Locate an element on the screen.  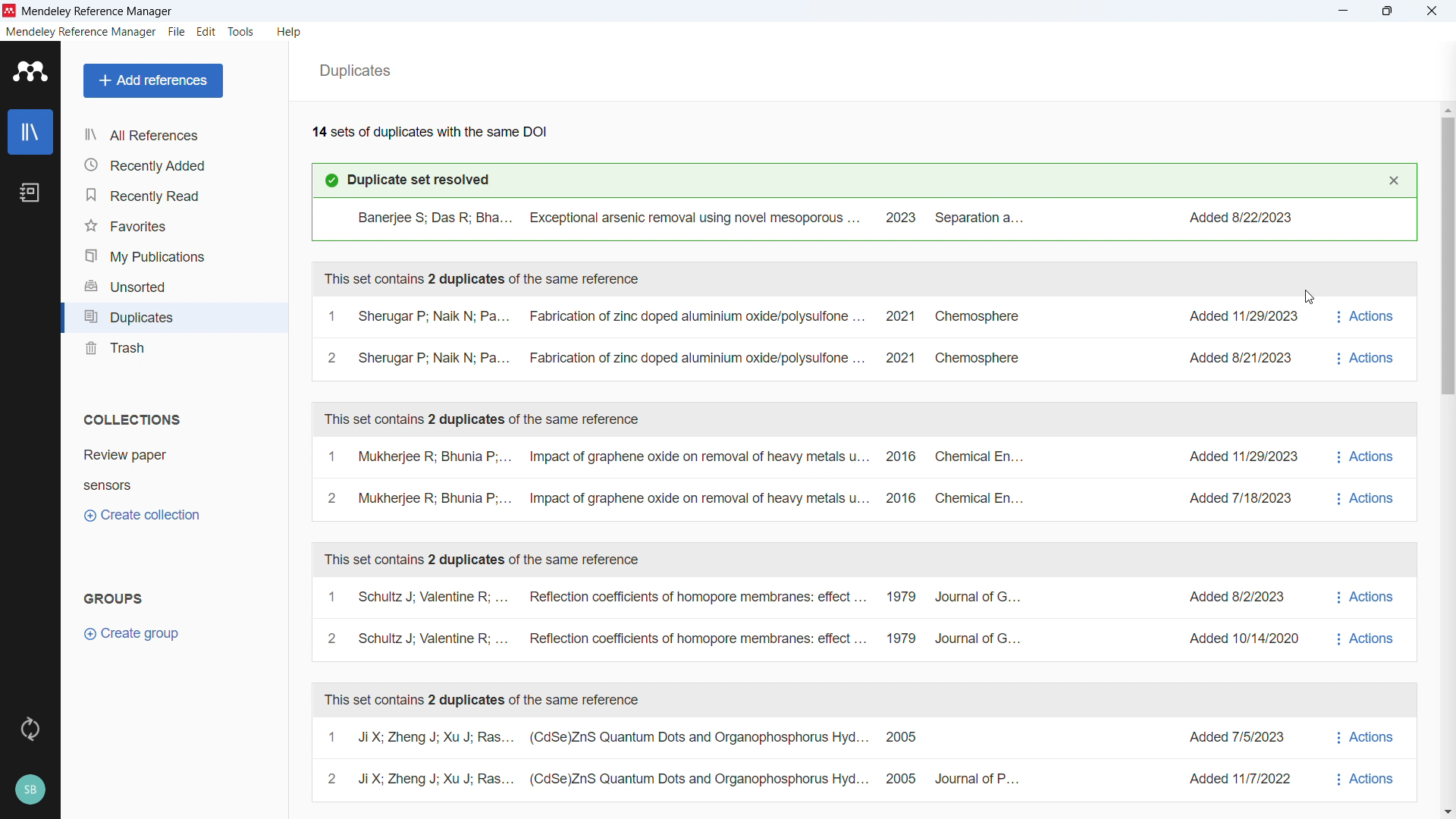
Notebook  is located at coordinates (30, 193).